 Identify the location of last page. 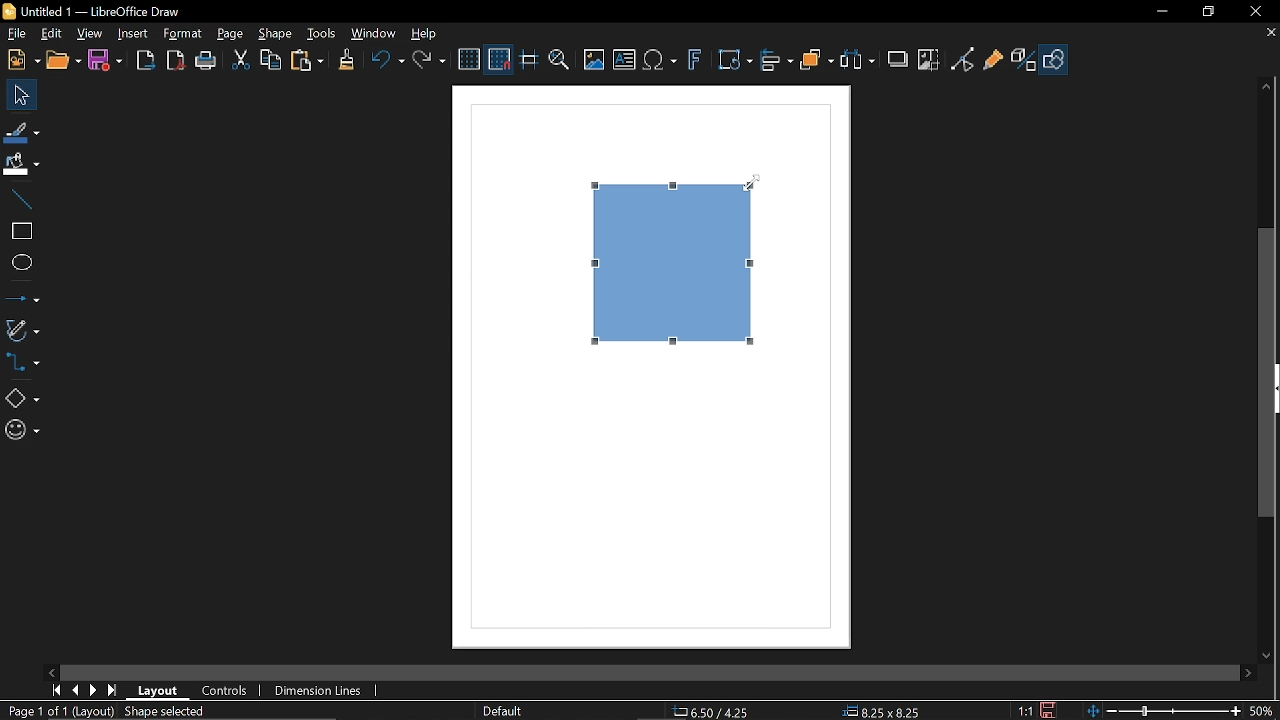
(112, 690).